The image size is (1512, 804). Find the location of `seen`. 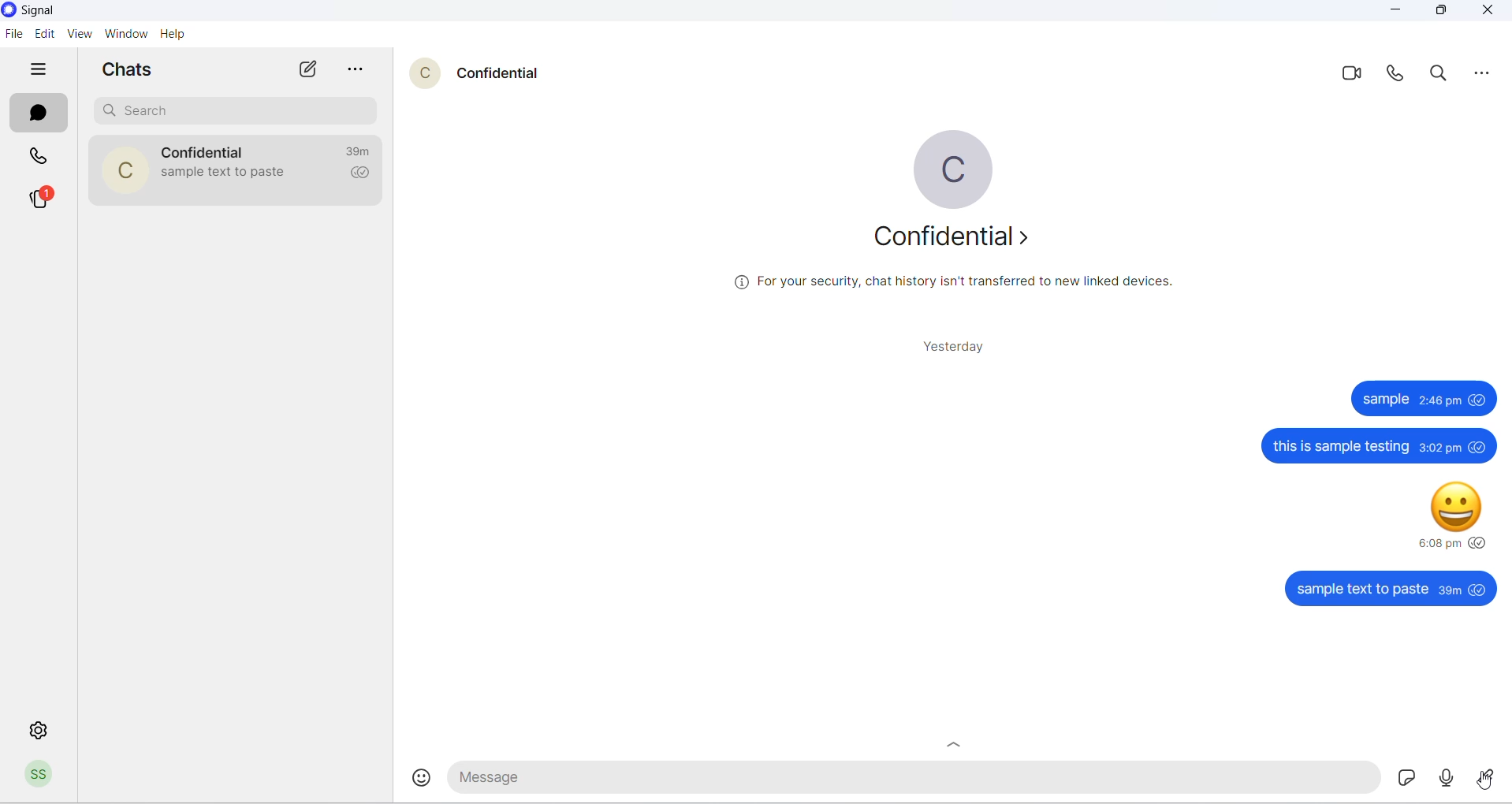

seen is located at coordinates (1480, 399).